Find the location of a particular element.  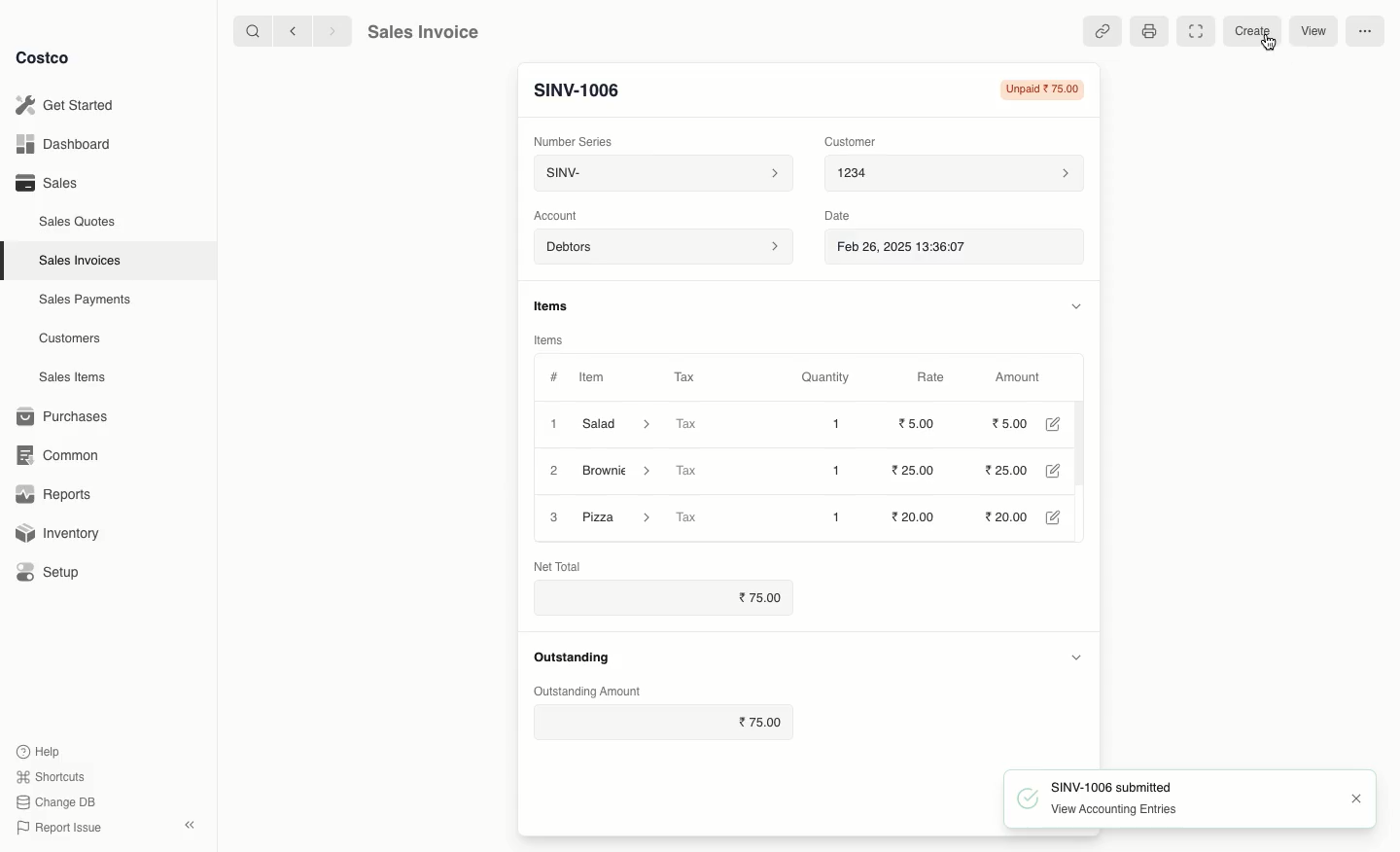

75.00 is located at coordinates (761, 724).